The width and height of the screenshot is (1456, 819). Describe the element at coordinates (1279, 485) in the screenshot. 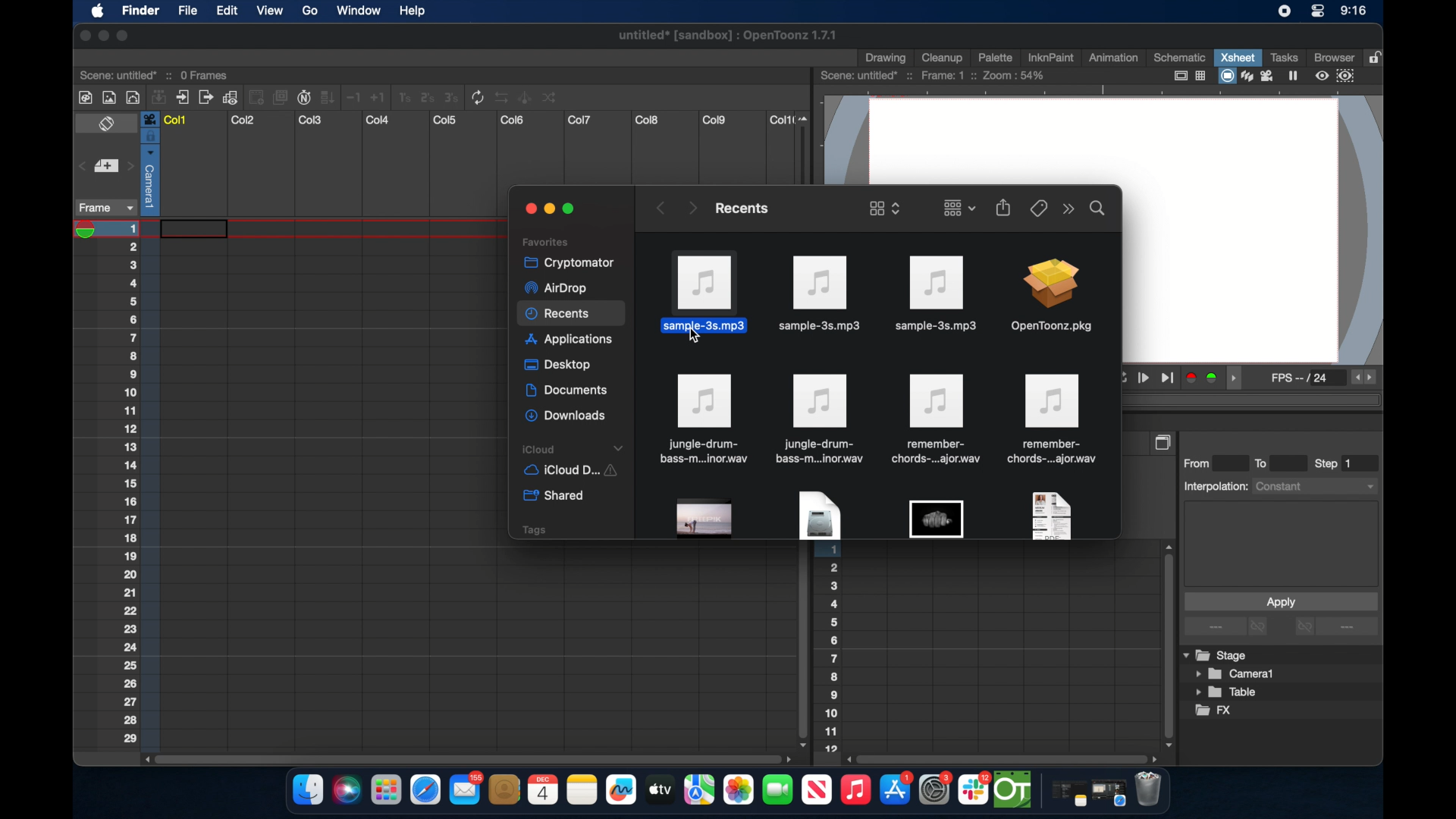

I see `interpolations` at that location.